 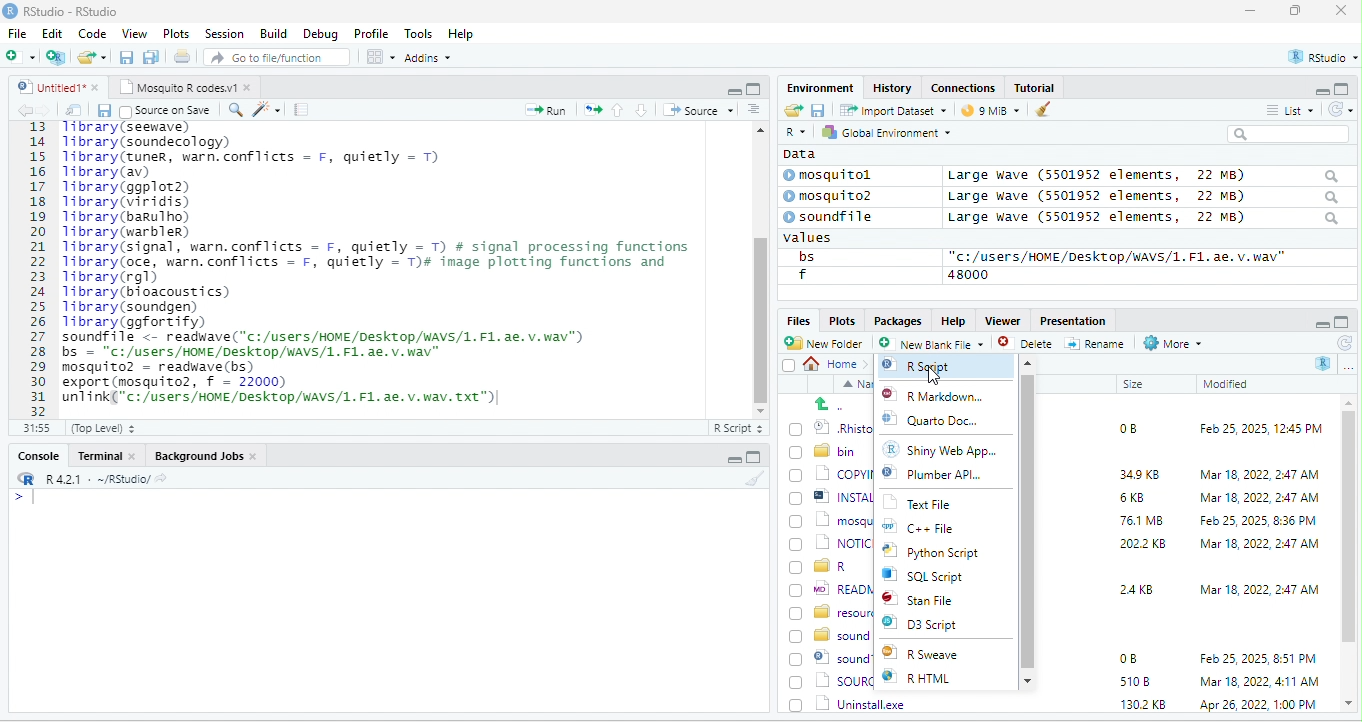 What do you see at coordinates (64, 10) in the screenshot?
I see `RStudio` at bounding box center [64, 10].